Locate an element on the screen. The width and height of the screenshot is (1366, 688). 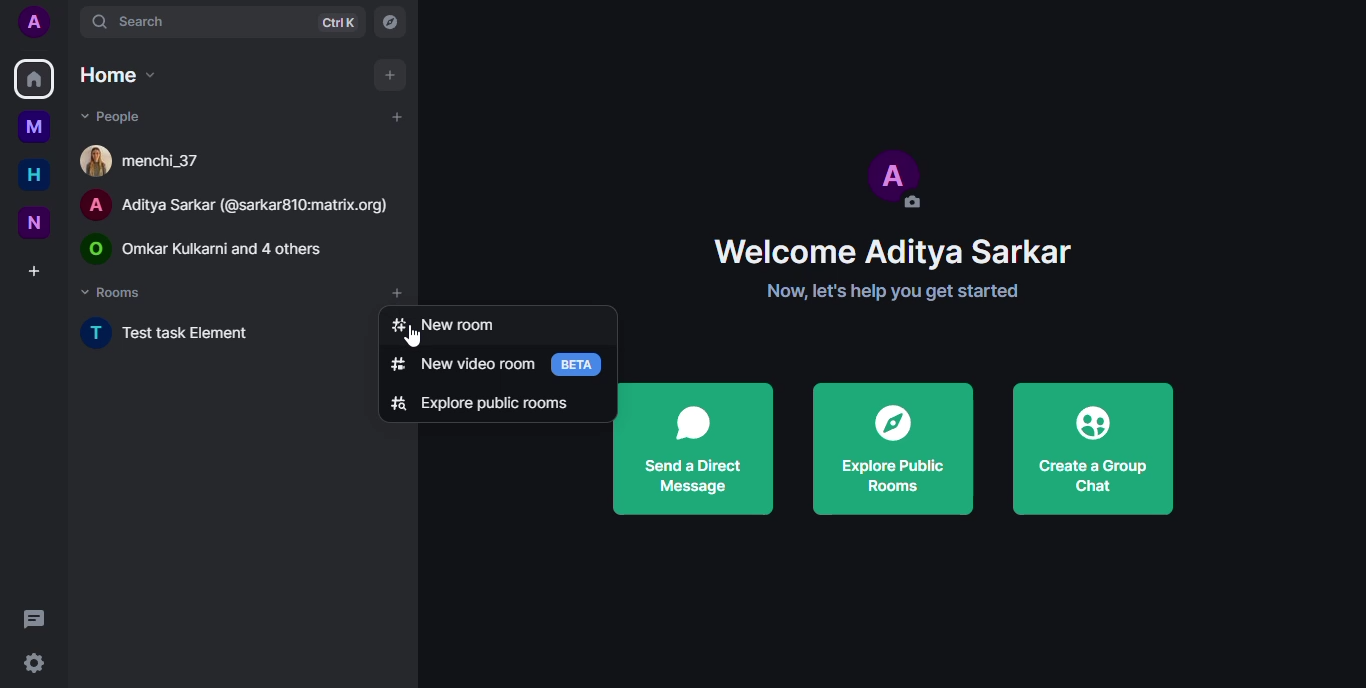
people is located at coordinates (110, 115).